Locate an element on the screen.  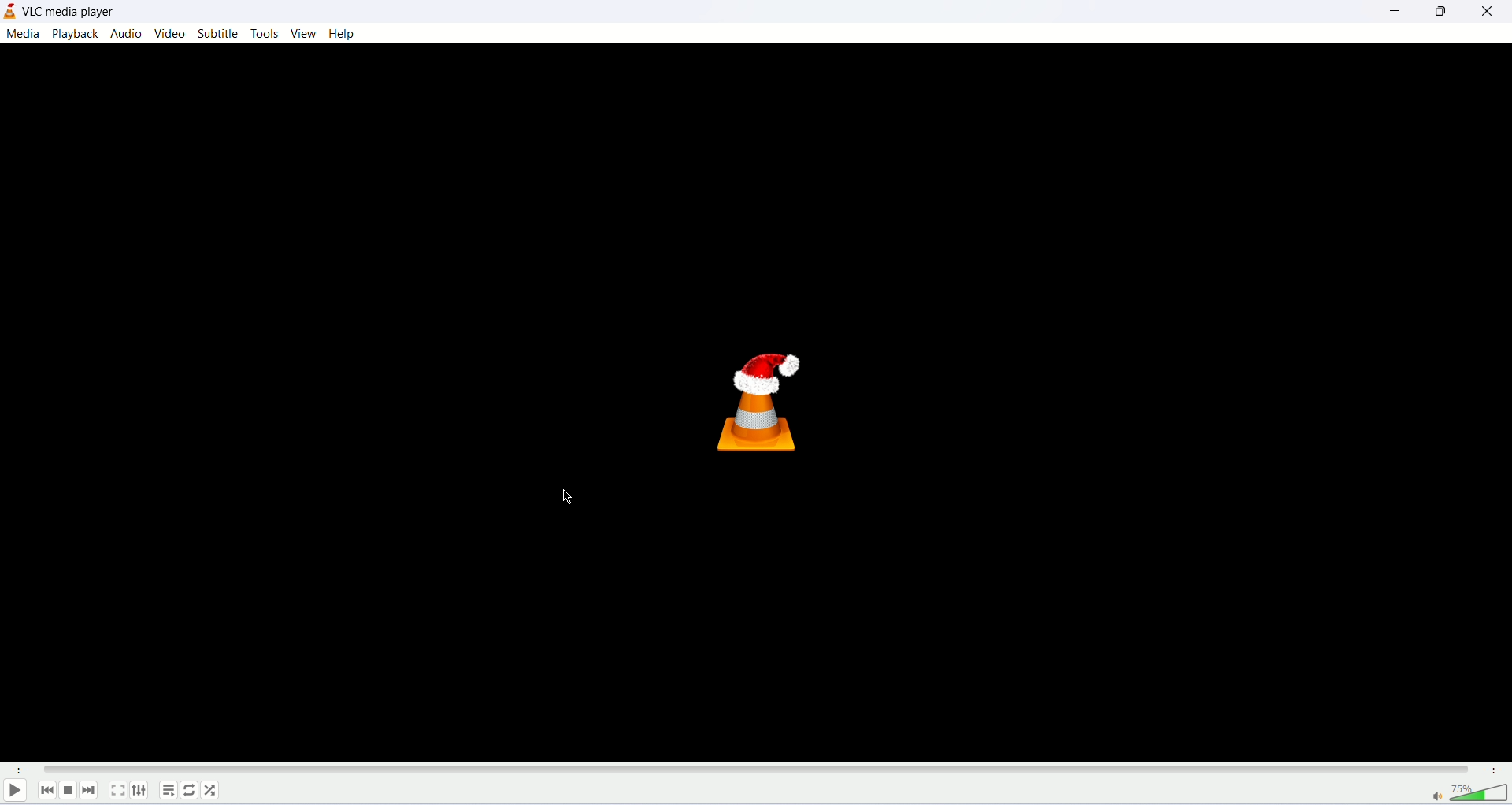
video is located at coordinates (169, 34).